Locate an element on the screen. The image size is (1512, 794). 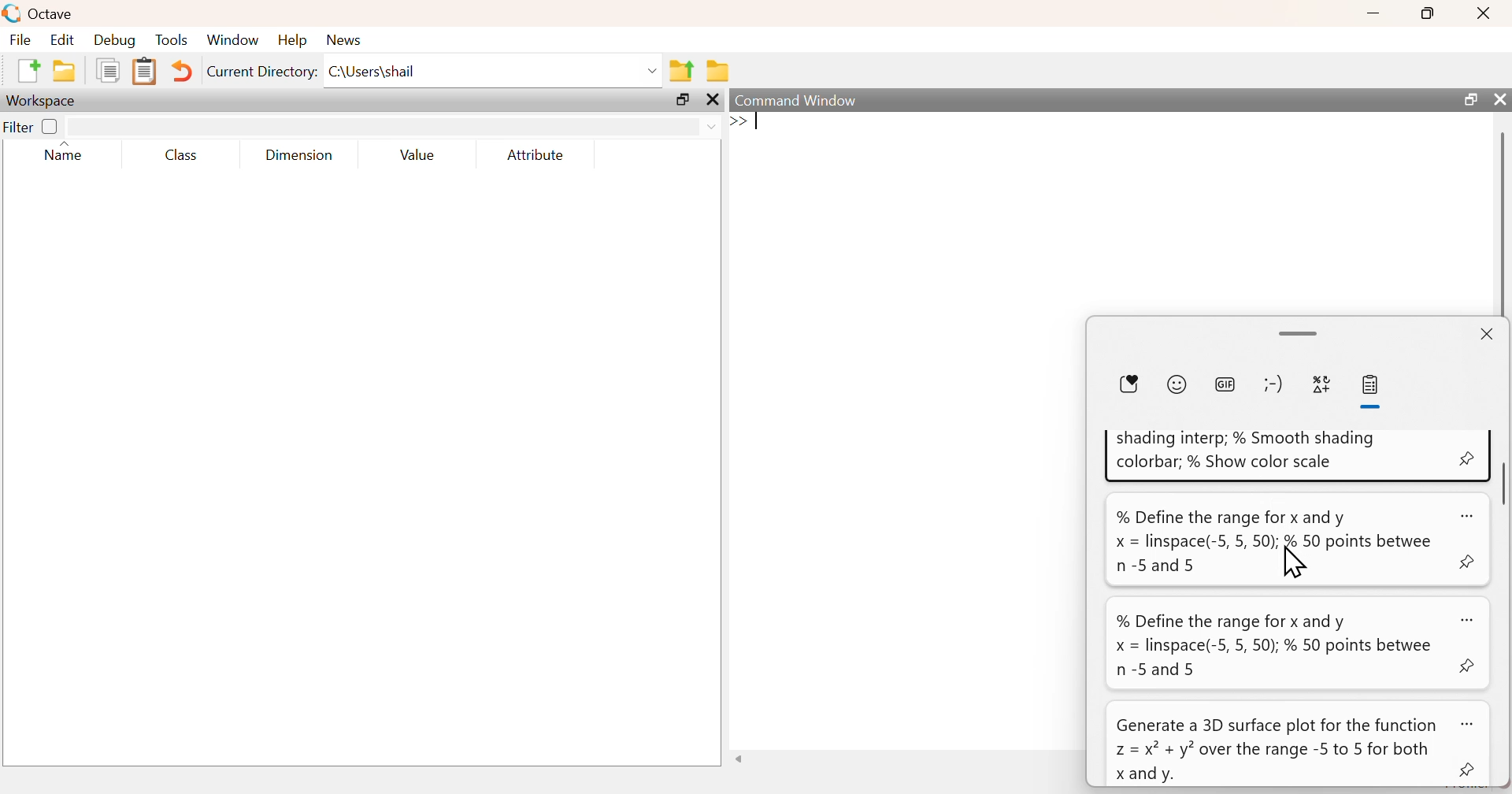
scroll bar is located at coordinates (1502, 222).